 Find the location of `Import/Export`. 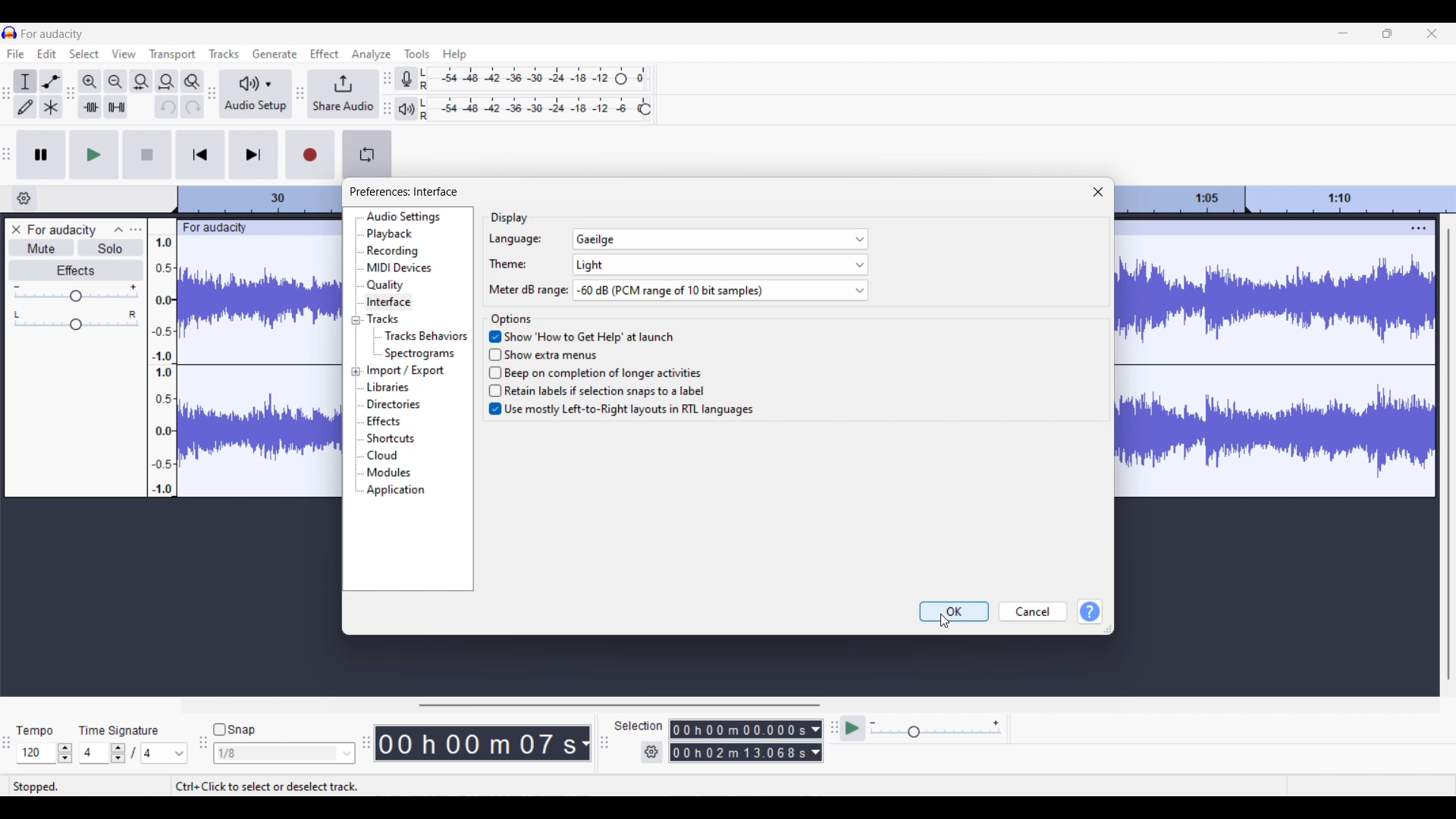

Import/Export is located at coordinates (406, 371).